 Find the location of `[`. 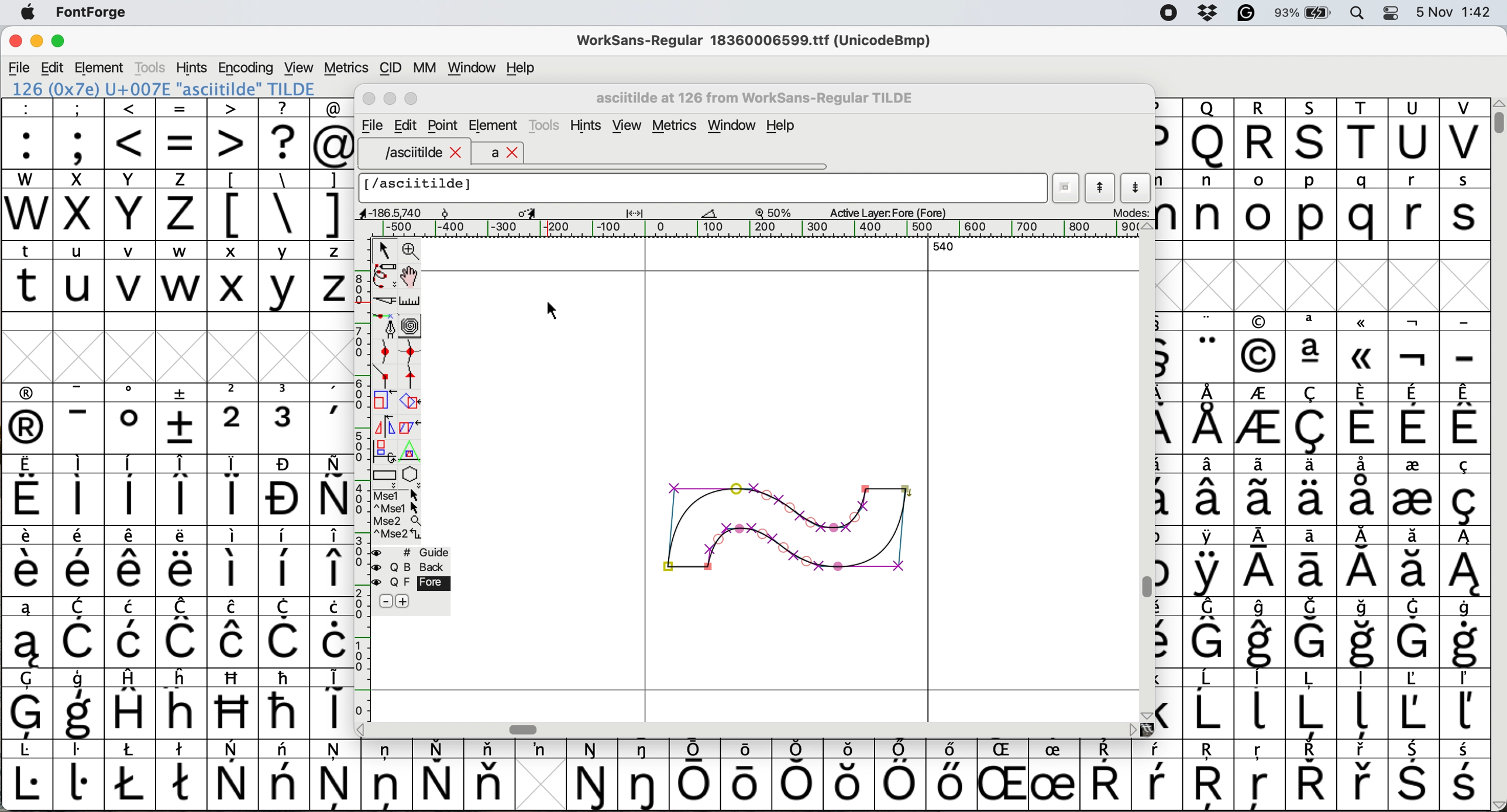

[ is located at coordinates (233, 205).